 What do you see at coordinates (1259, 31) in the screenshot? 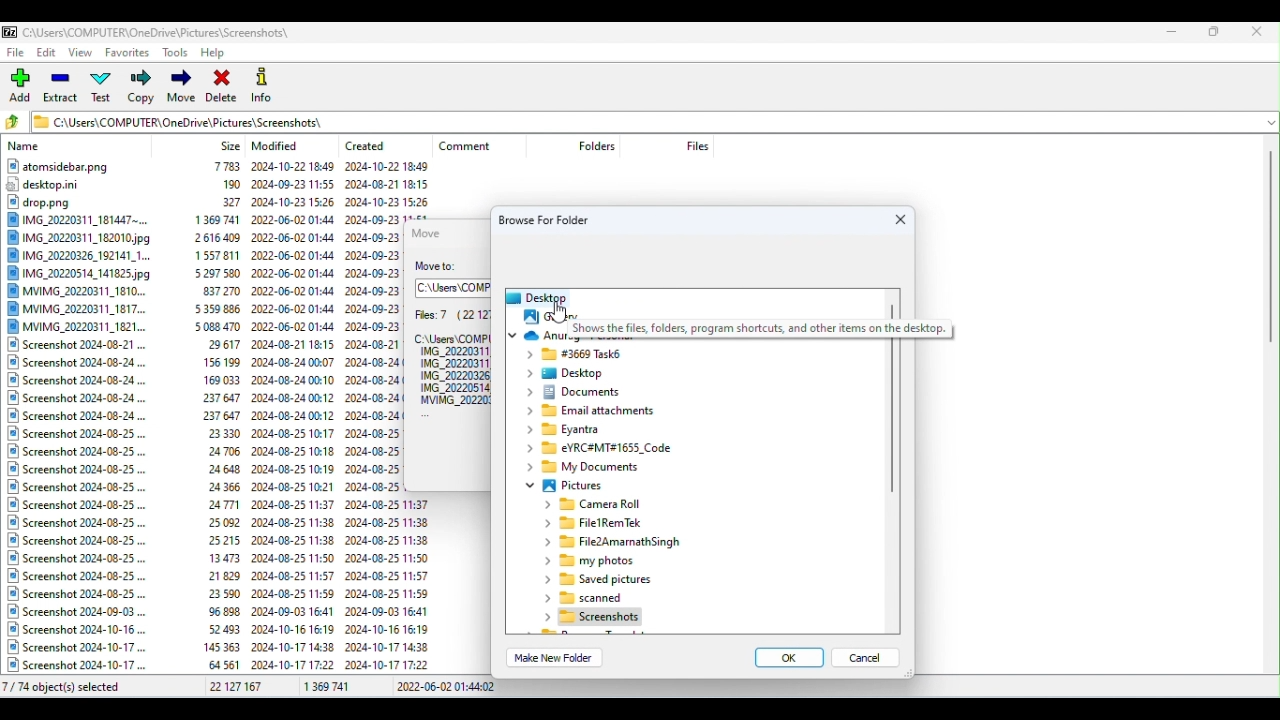
I see `Close` at bounding box center [1259, 31].